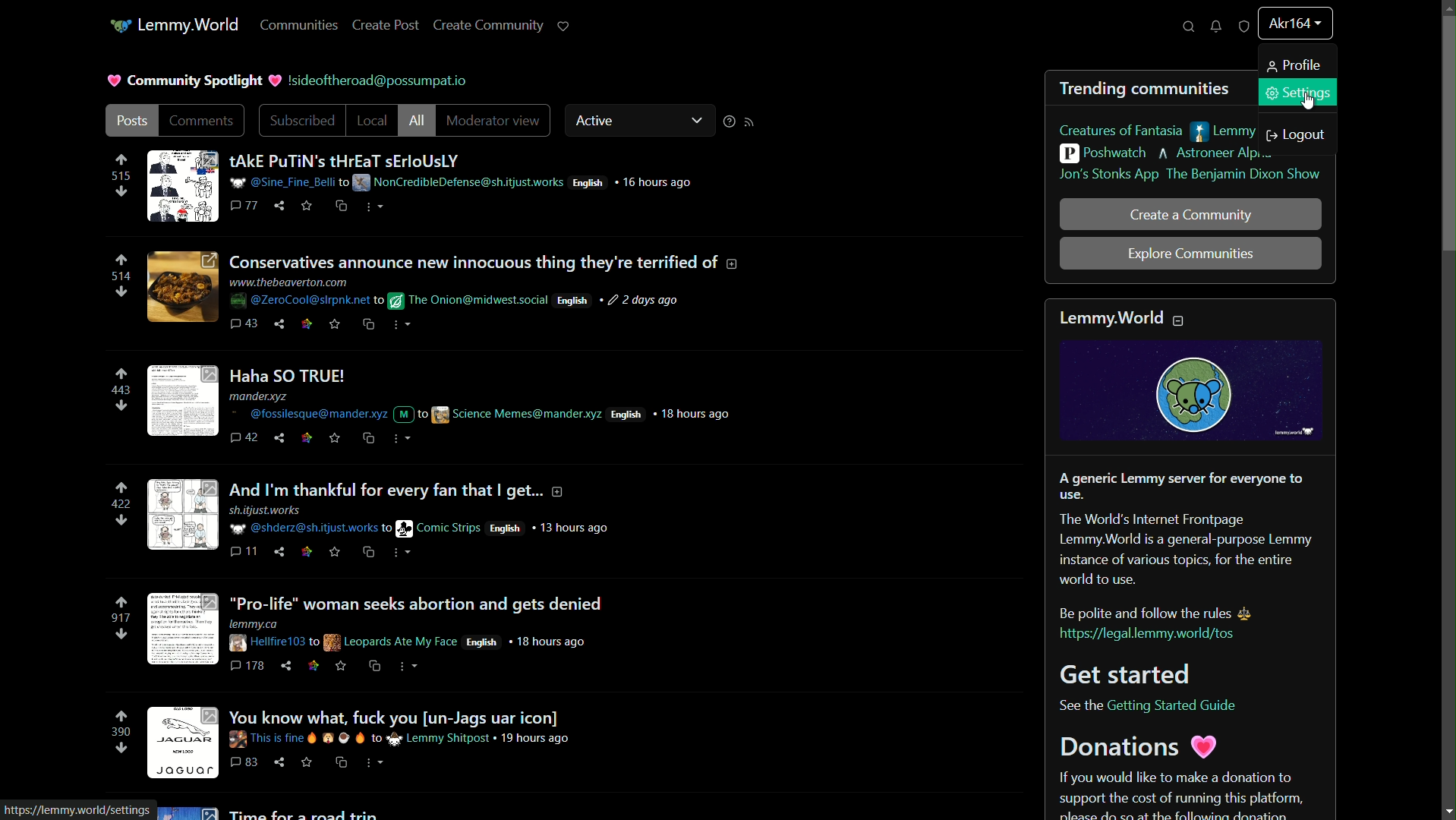 The height and width of the screenshot is (820, 1456). I want to click on post-1, so click(418, 186).